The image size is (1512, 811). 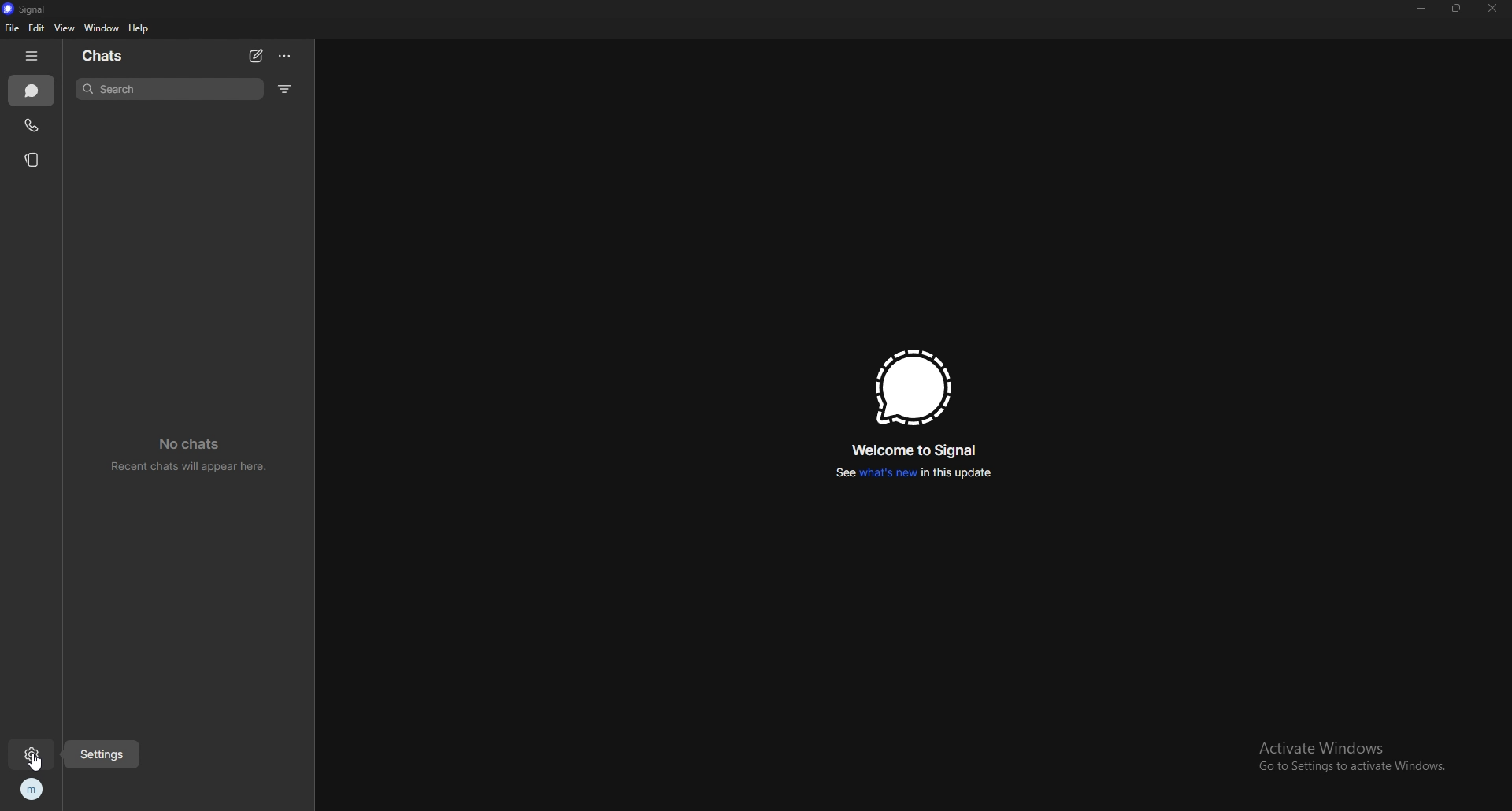 What do you see at coordinates (31, 789) in the screenshot?
I see `profile` at bounding box center [31, 789].